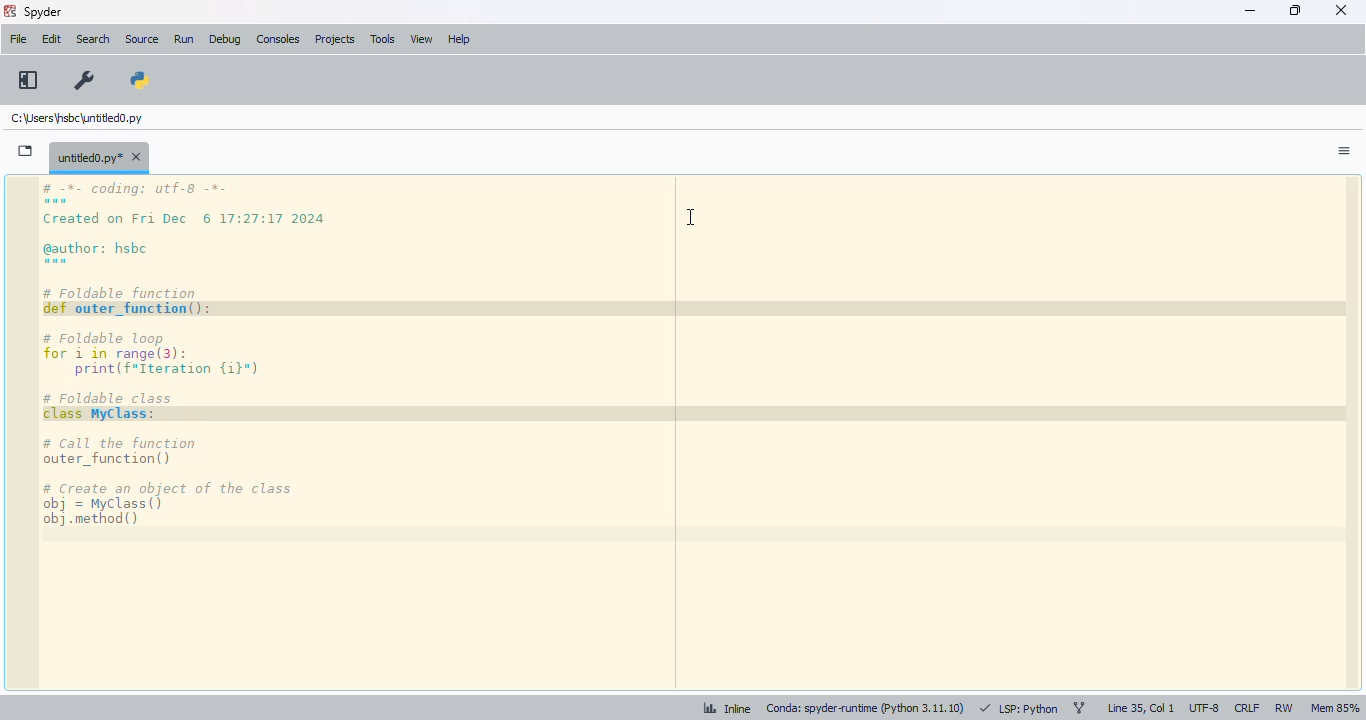  I want to click on spyder, so click(43, 12).